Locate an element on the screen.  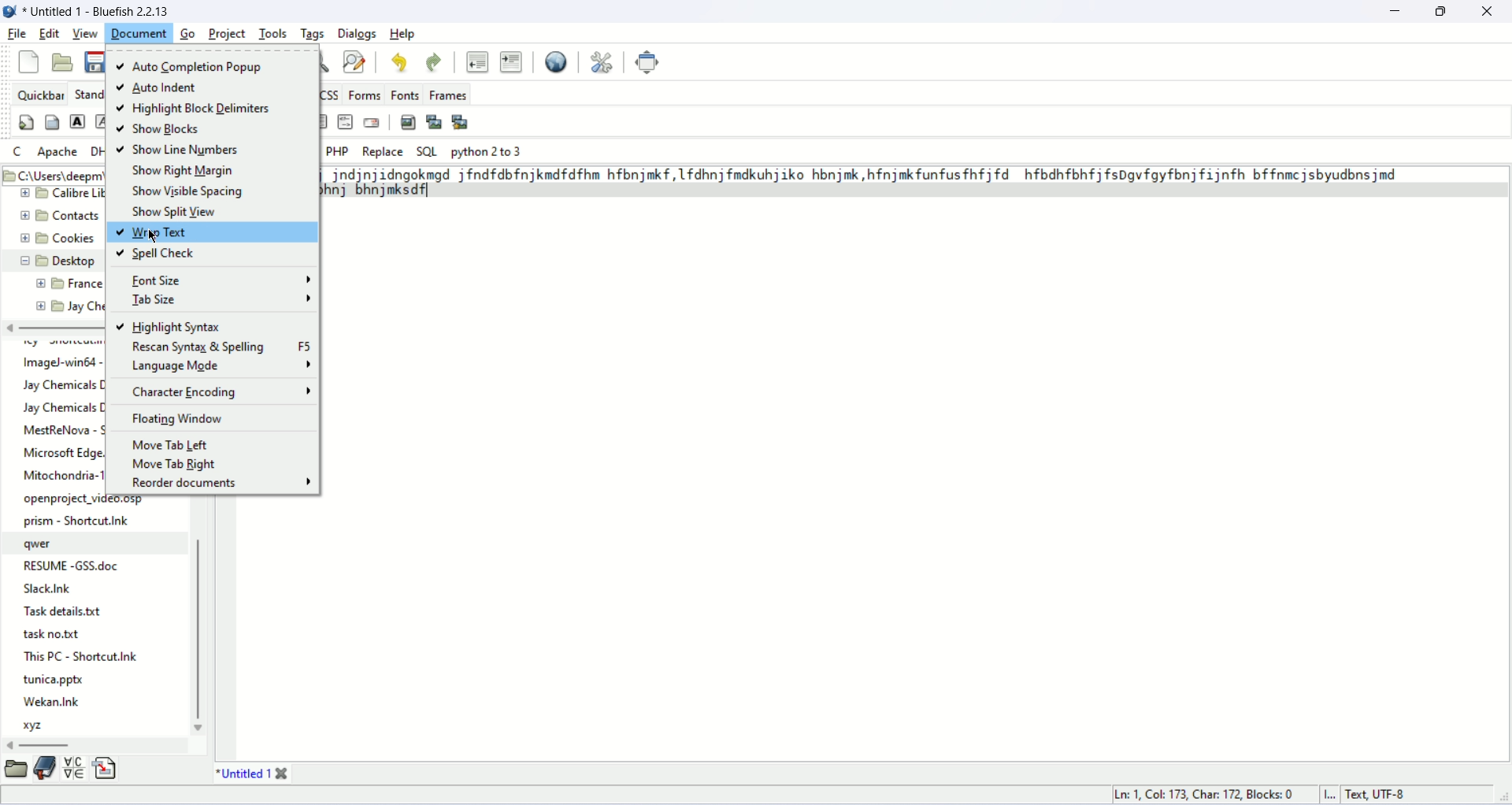
font size is located at coordinates (220, 281).